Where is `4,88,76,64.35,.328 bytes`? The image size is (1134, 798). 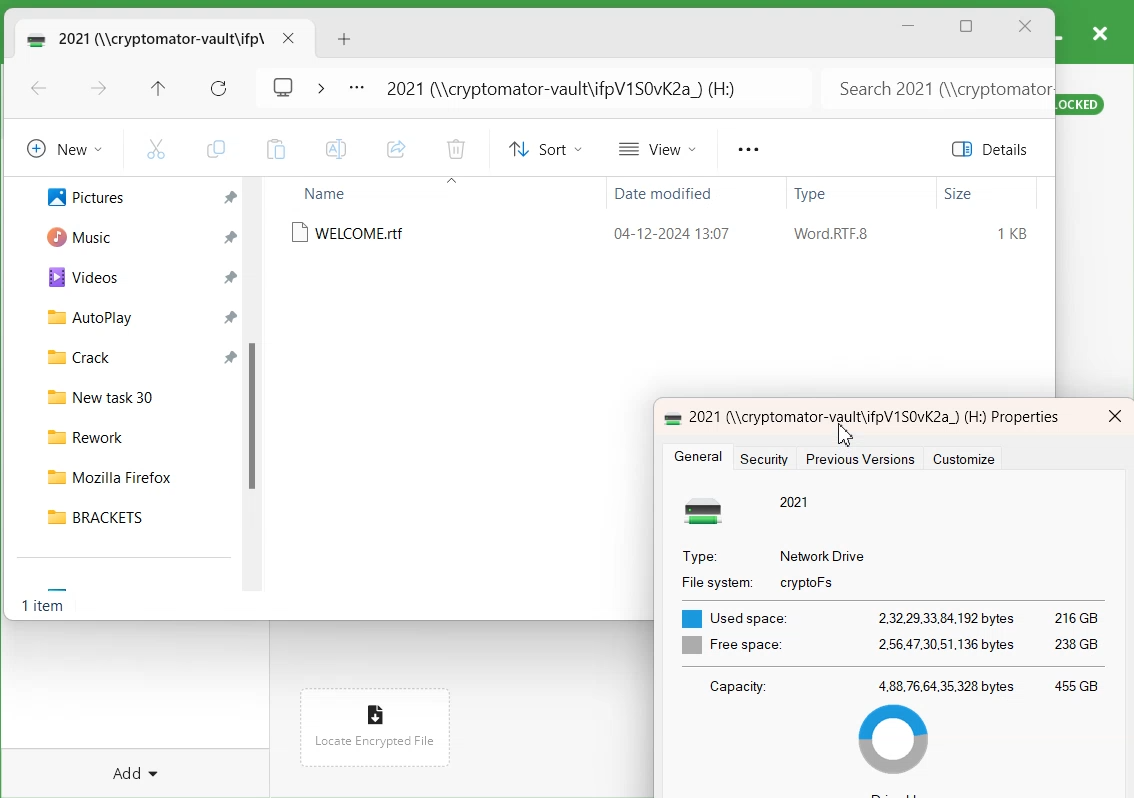
4,88,76,64.35,.328 bytes is located at coordinates (946, 685).